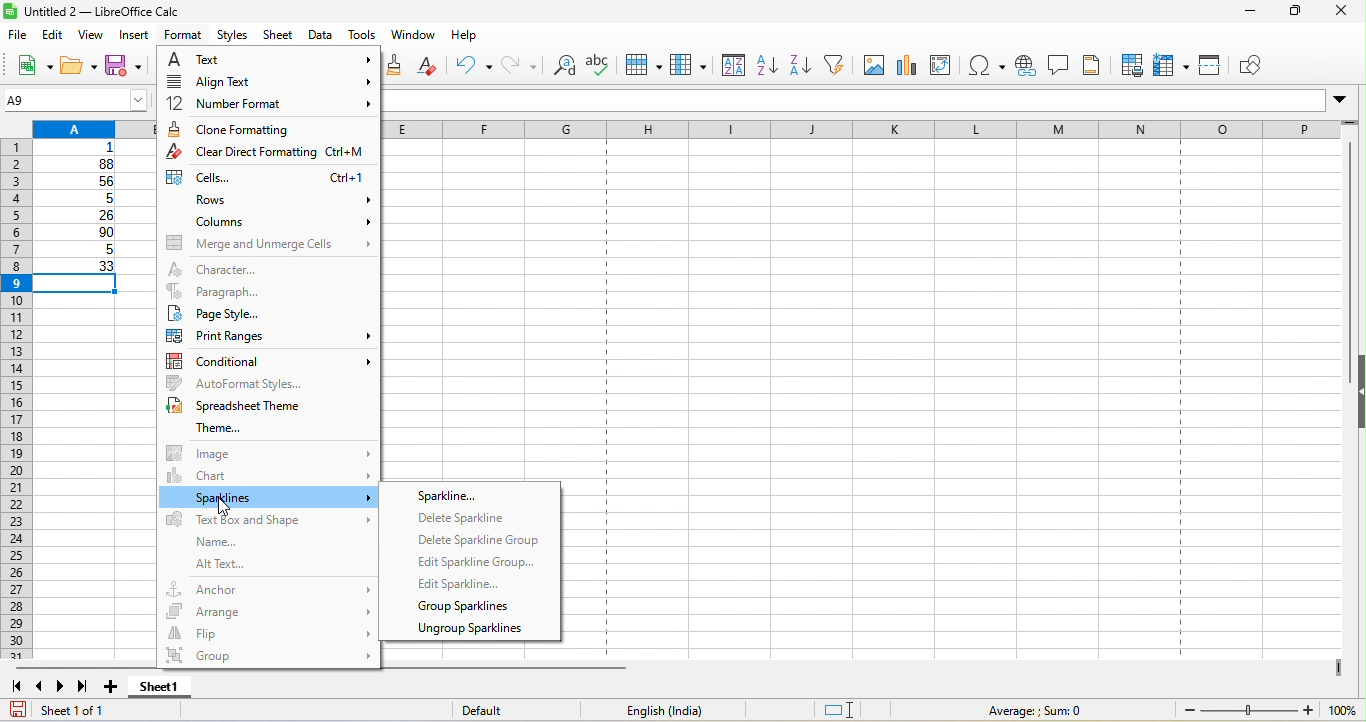 The image size is (1366, 722). Describe the element at coordinates (804, 64) in the screenshot. I see `sort descending` at that location.